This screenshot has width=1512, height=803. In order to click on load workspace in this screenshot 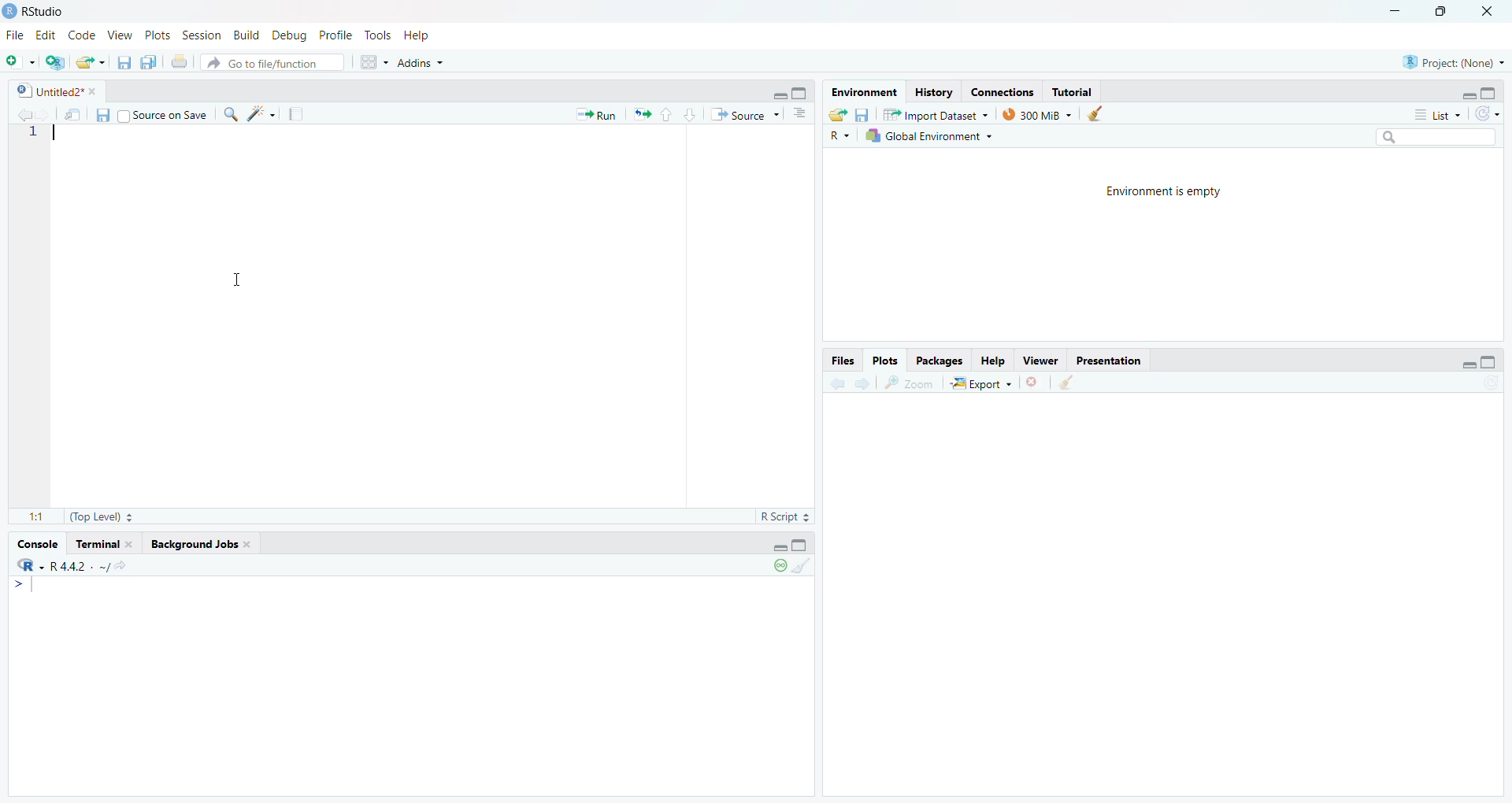, I will do `click(839, 115)`.